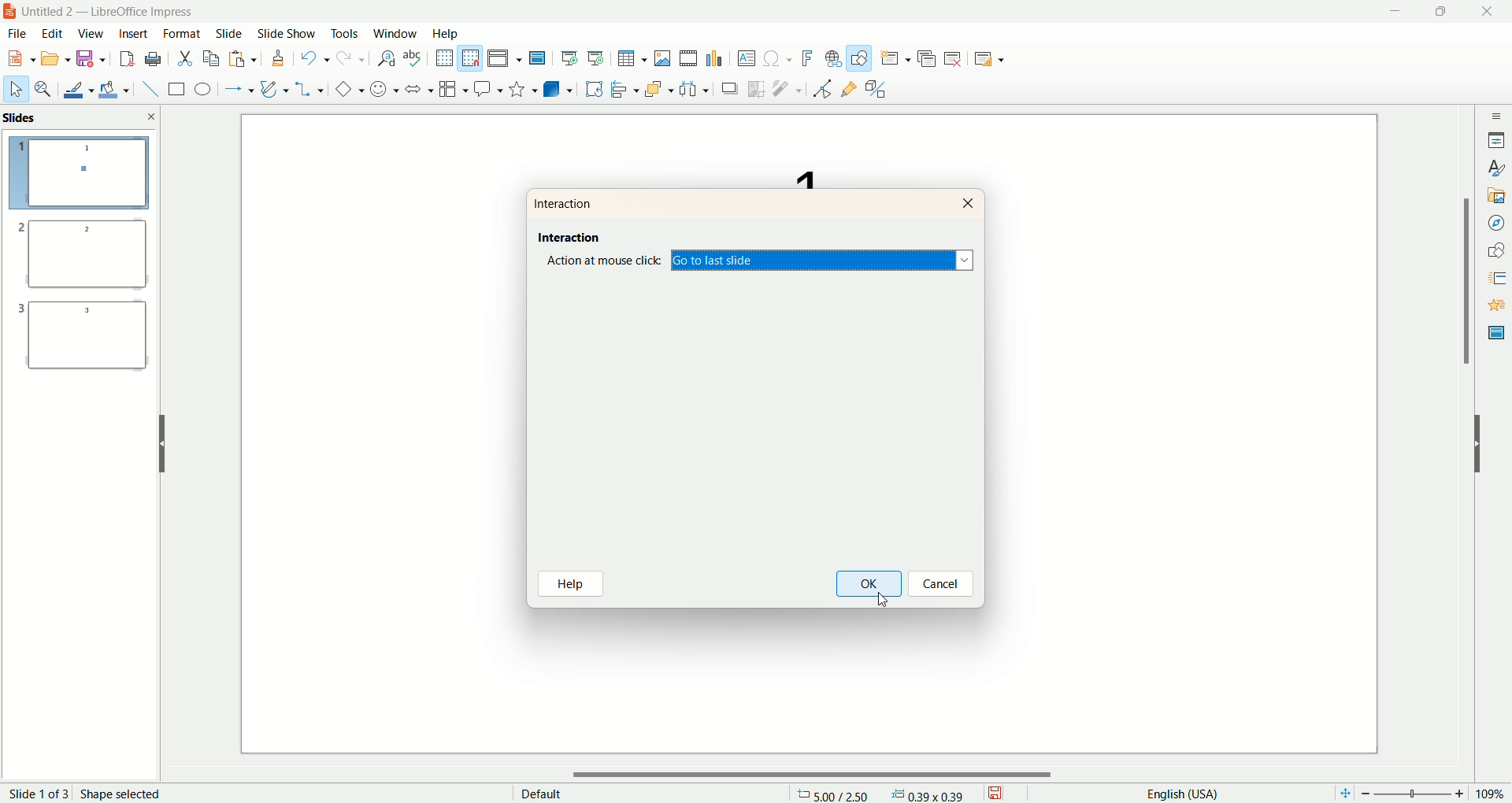  What do you see at coordinates (787, 89) in the screenshot?
I see `filter` at bounding box center [787, 89].